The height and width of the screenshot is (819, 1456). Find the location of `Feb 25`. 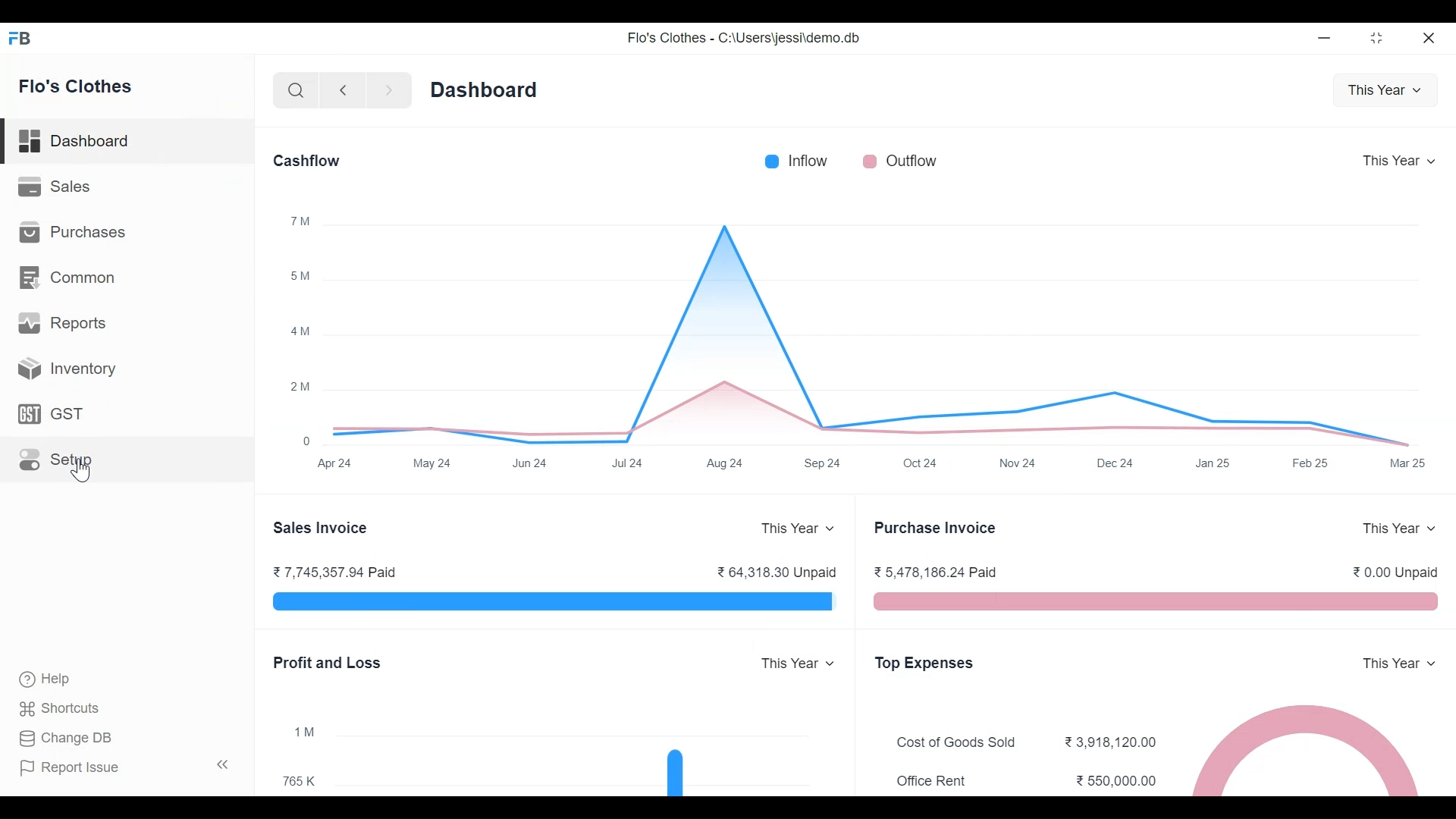

Feb 25 is located at coordinates (1305, 461).